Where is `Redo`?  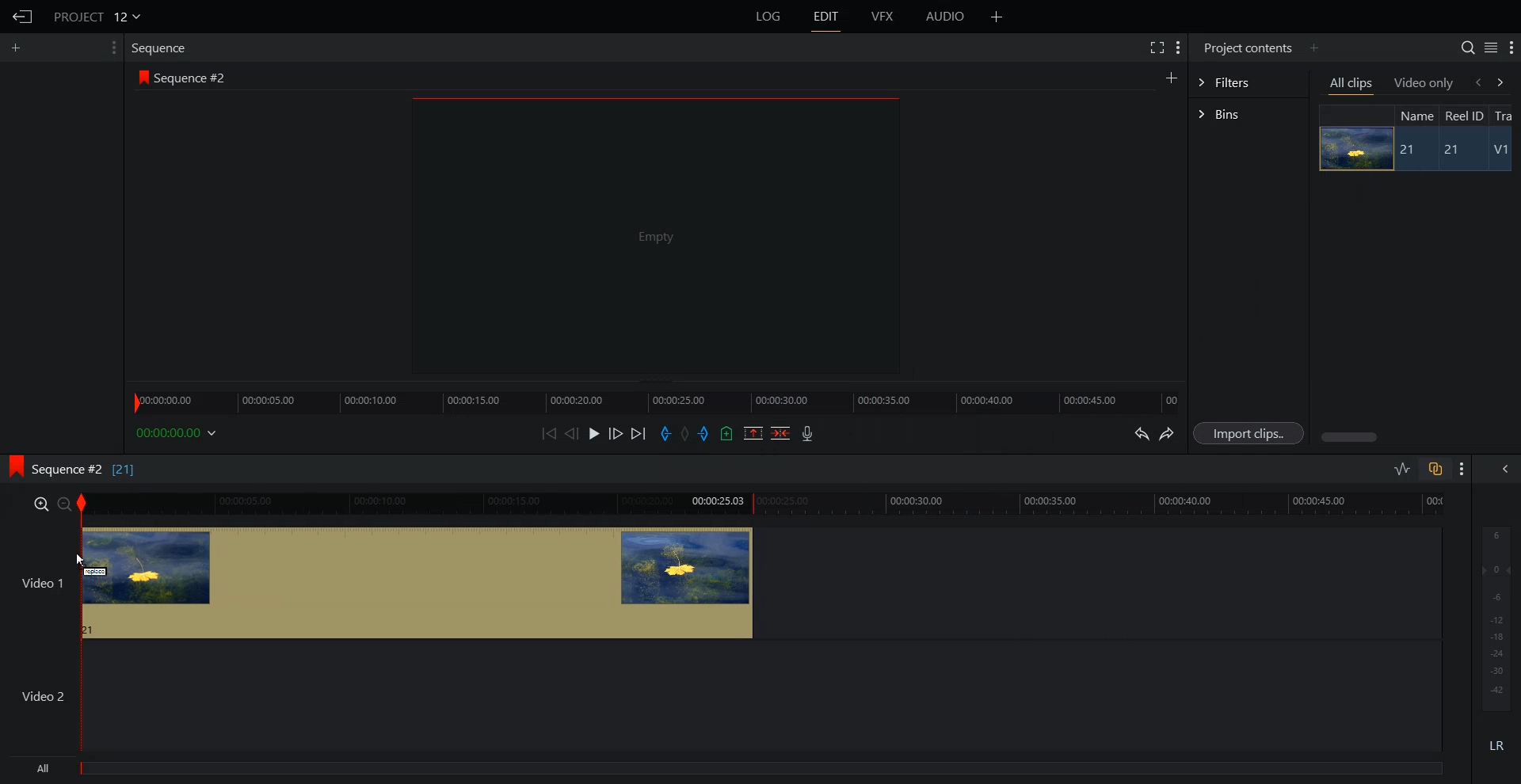
Redo is located at coordinates (1168, 434).